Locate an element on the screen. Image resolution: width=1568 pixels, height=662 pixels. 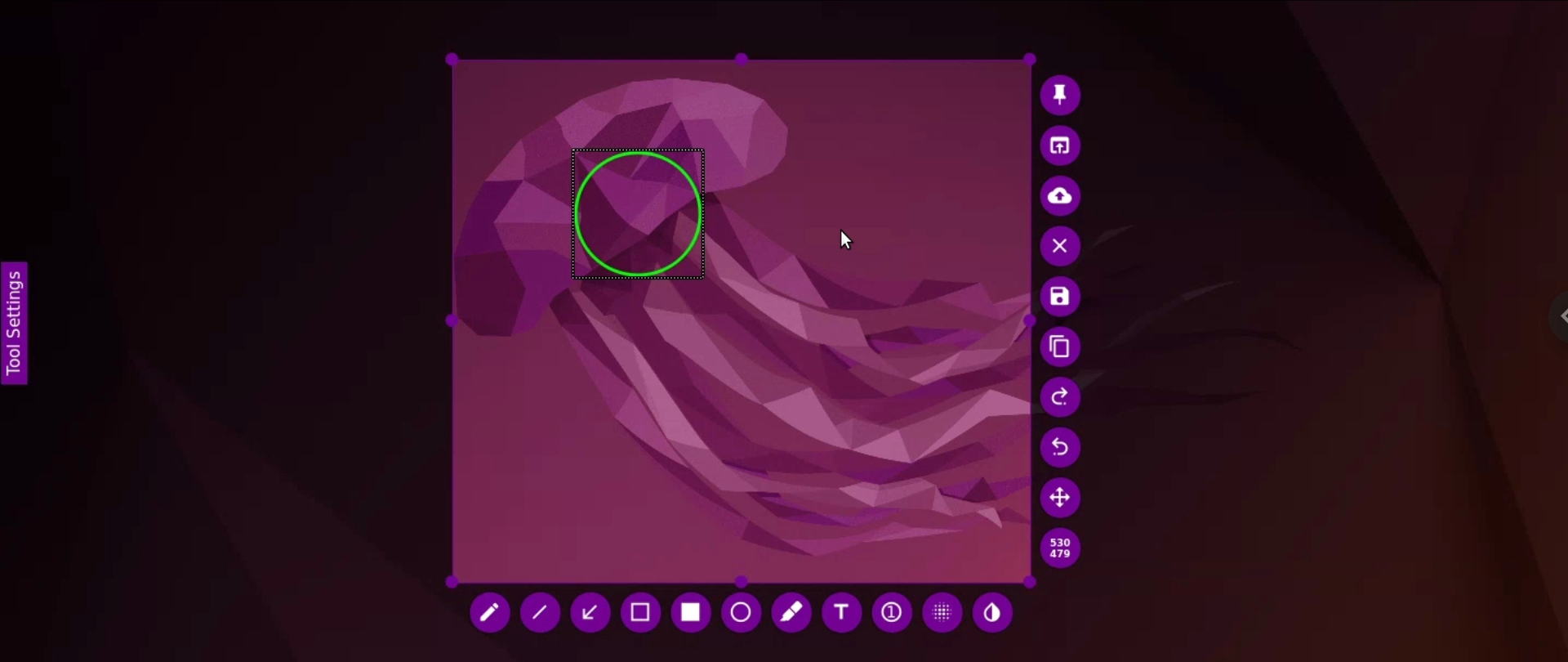
marker is located at coordinates (792, 612).